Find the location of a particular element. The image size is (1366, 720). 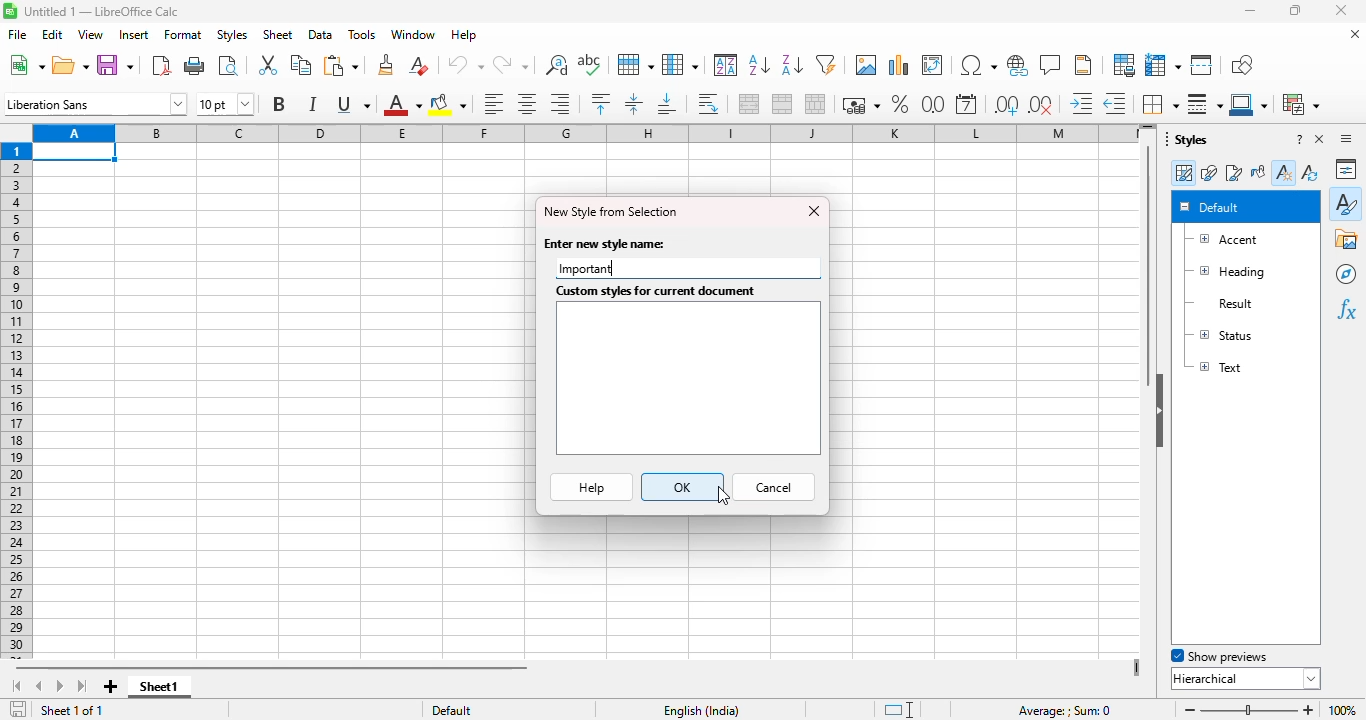

insert or edit pivot table is located at coordinates (933, 65).